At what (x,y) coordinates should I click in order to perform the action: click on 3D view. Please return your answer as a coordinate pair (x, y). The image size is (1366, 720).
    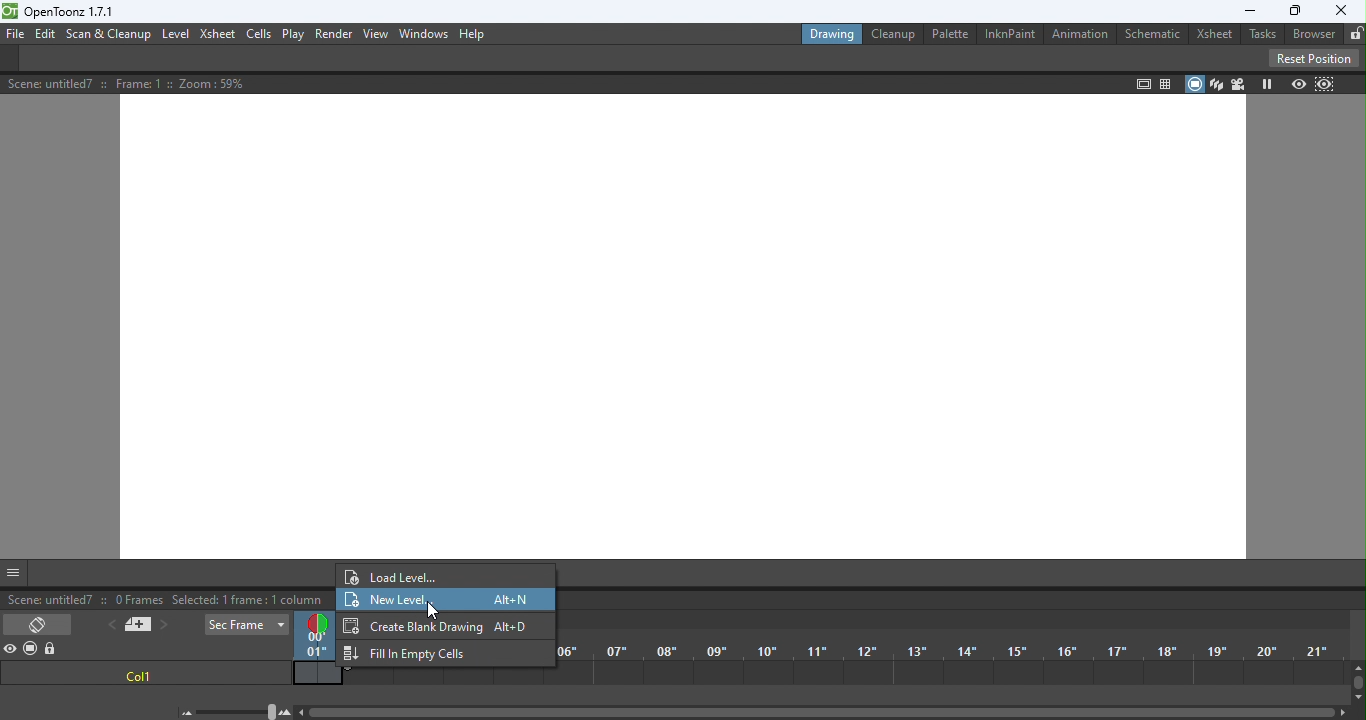
    Looking at the image, I should click on (1214, 83).